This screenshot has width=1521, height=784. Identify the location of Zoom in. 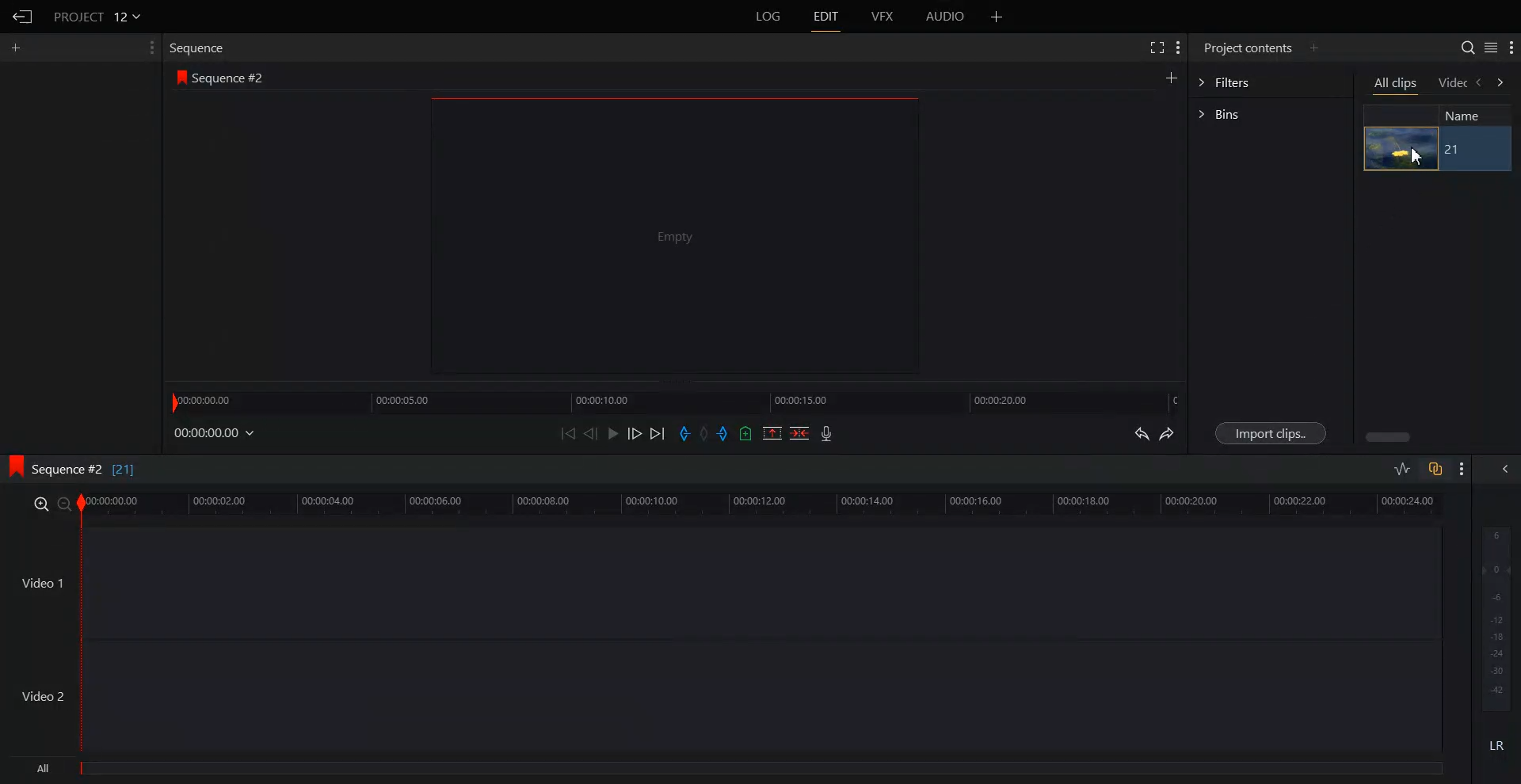
(40, 503).